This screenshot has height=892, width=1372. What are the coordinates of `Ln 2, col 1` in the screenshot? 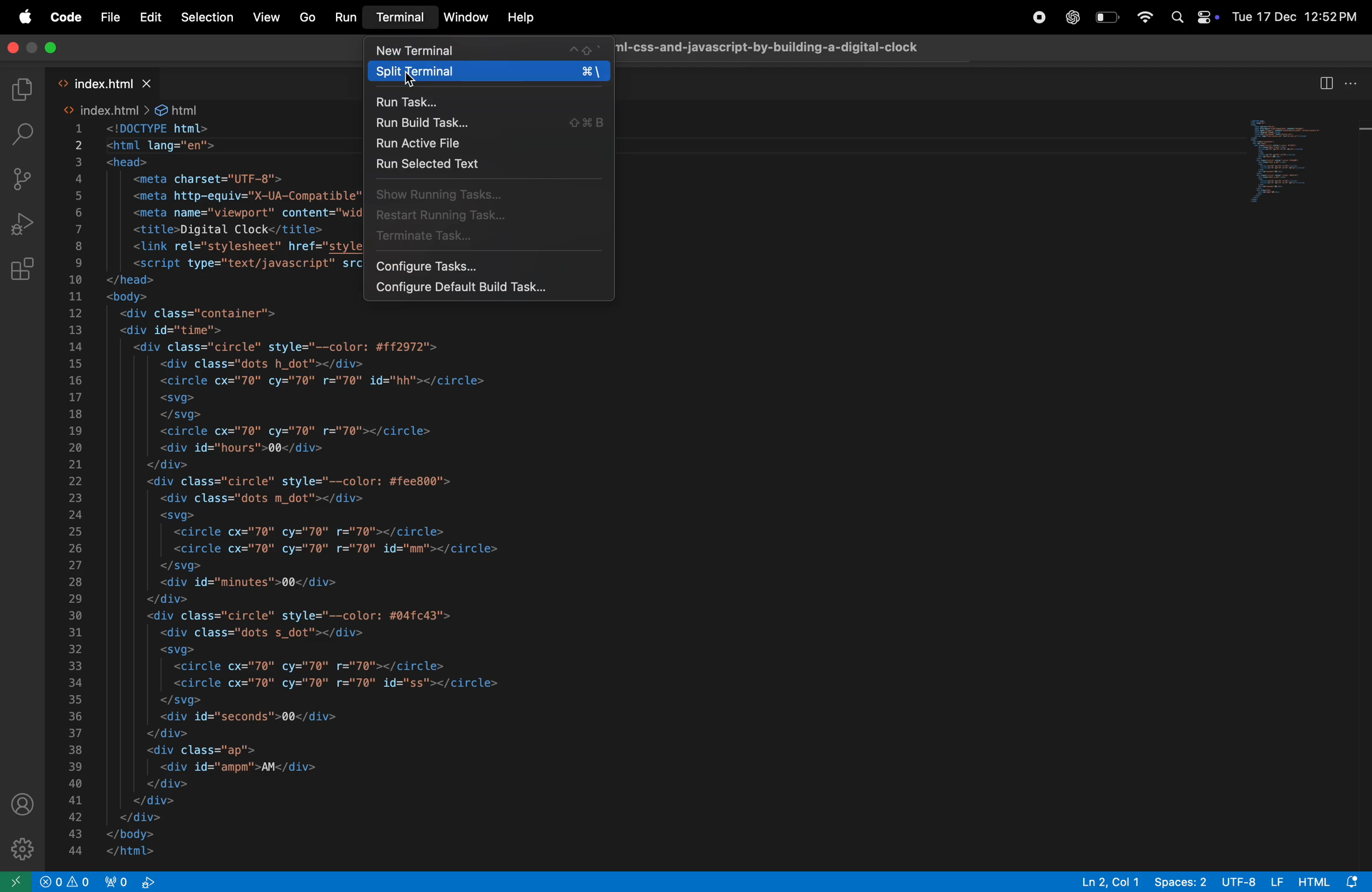 It's located at (1110, 881).